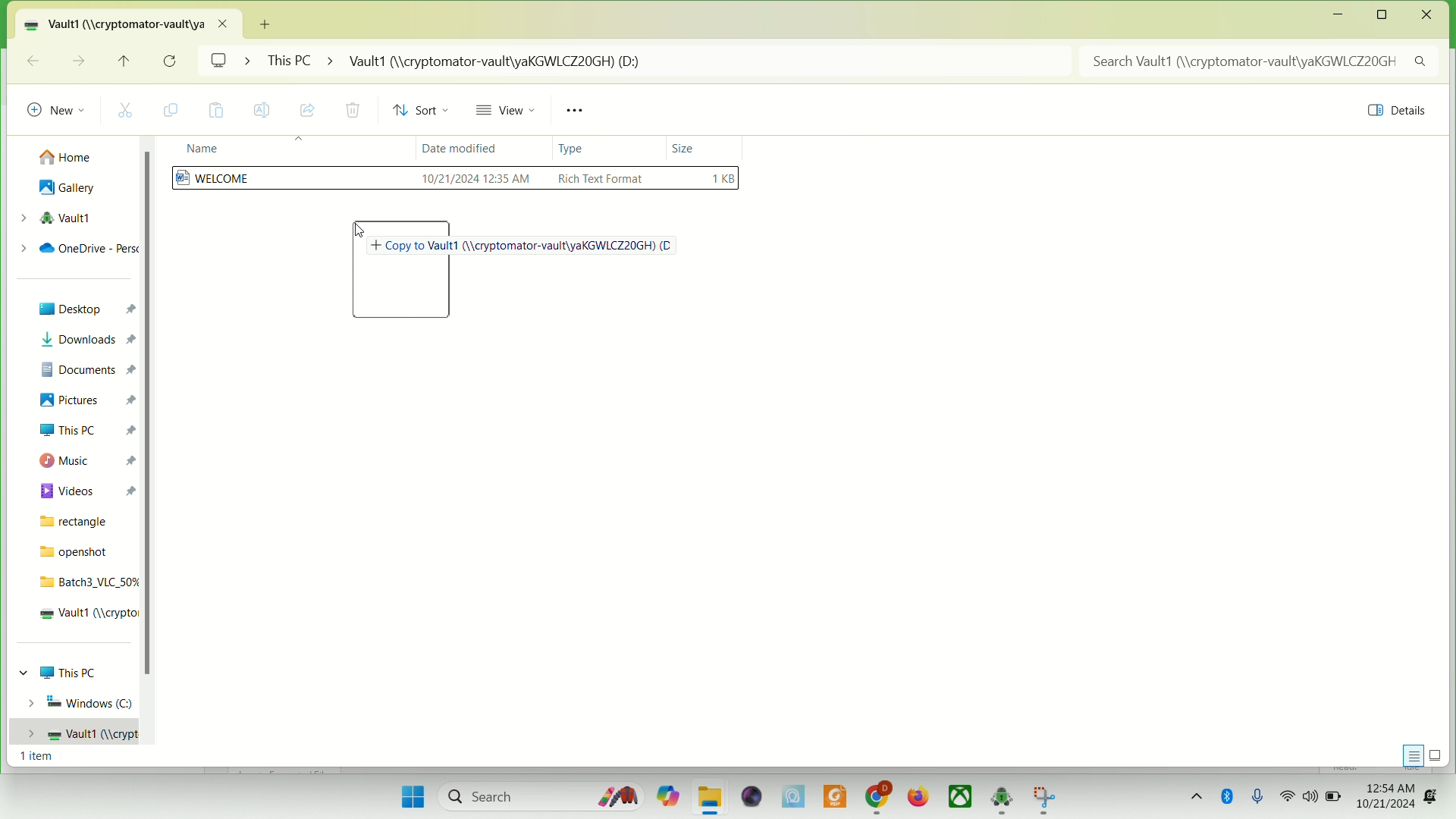 Image resolution: width=1456 pixels, height=819 pixels. What do you see at coordinates (1229, 796) in the screenshot?
I see `Bluetooth` at bounding box center [1229, 796].